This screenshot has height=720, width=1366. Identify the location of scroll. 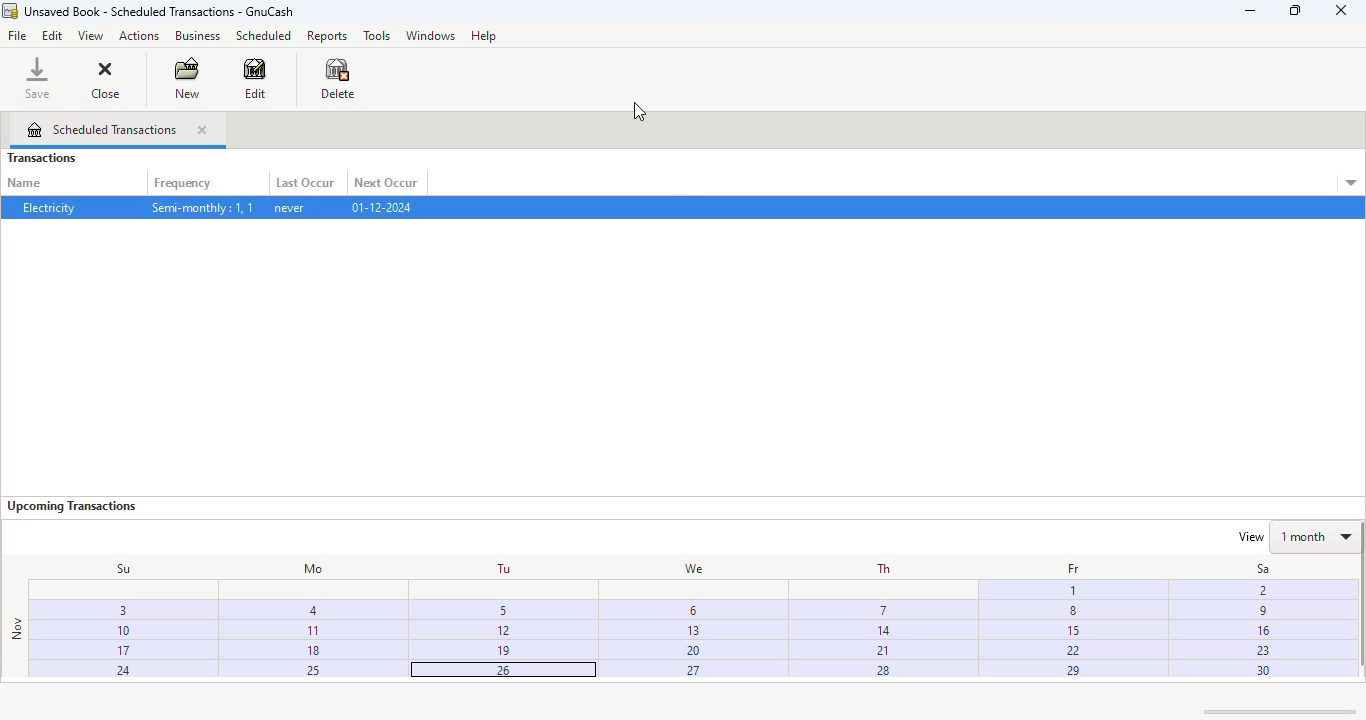
(1280, 711).